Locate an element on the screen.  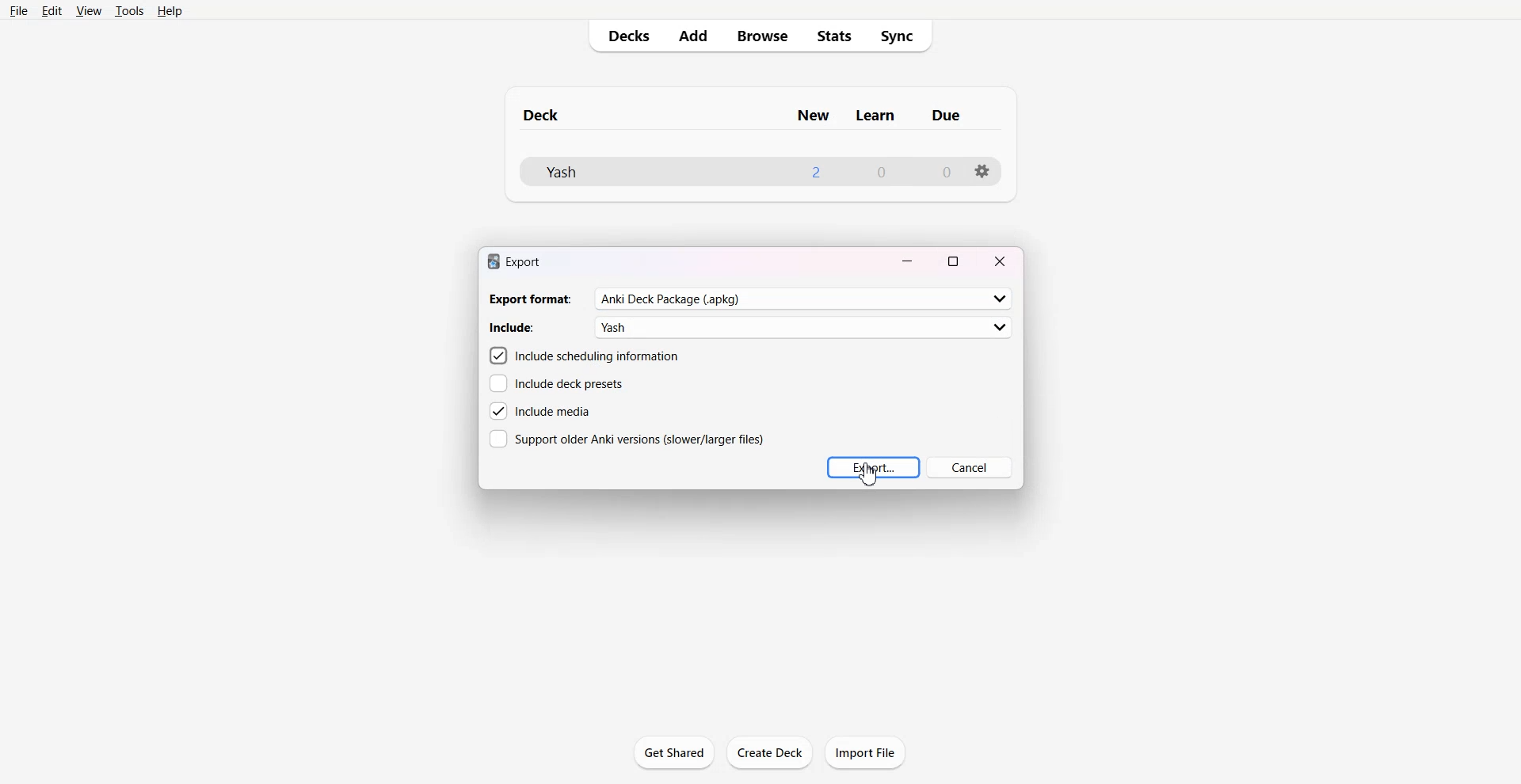
new is located at coordinates (813, 116).